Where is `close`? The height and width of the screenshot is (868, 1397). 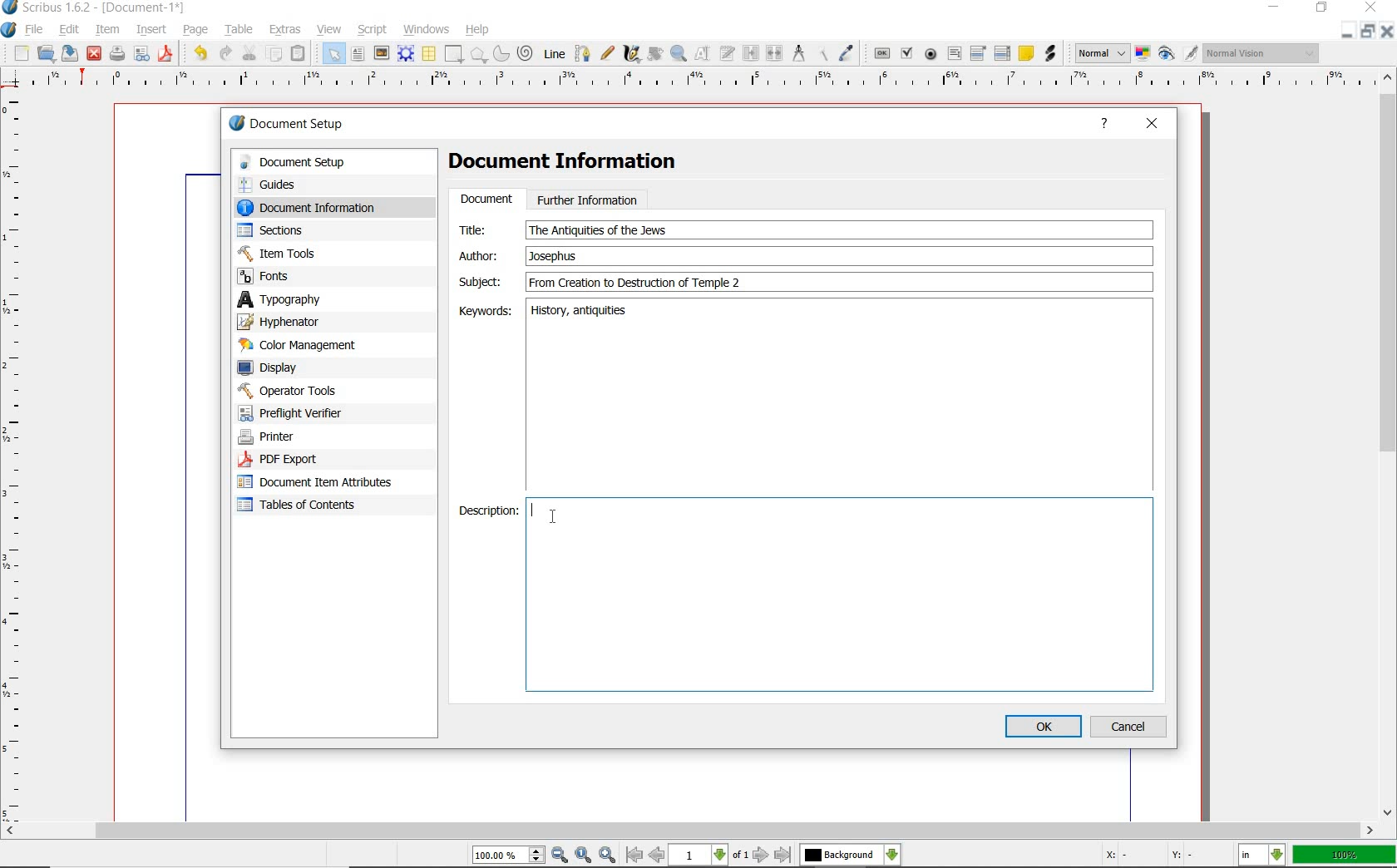 close is located at coordinates (1153, 125).